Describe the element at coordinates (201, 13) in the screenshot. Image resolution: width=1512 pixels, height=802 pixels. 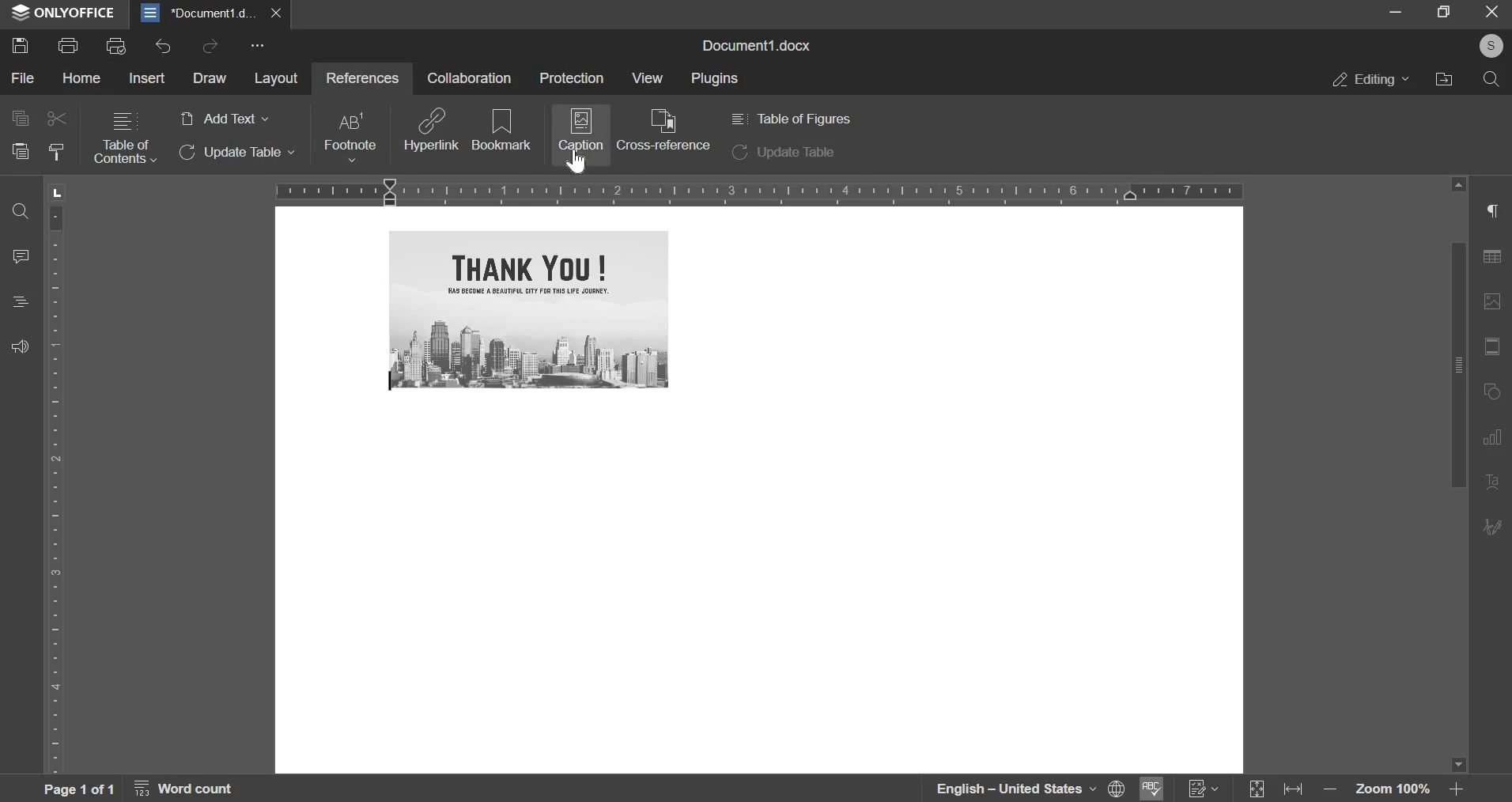
I see `document1.d` at that location.